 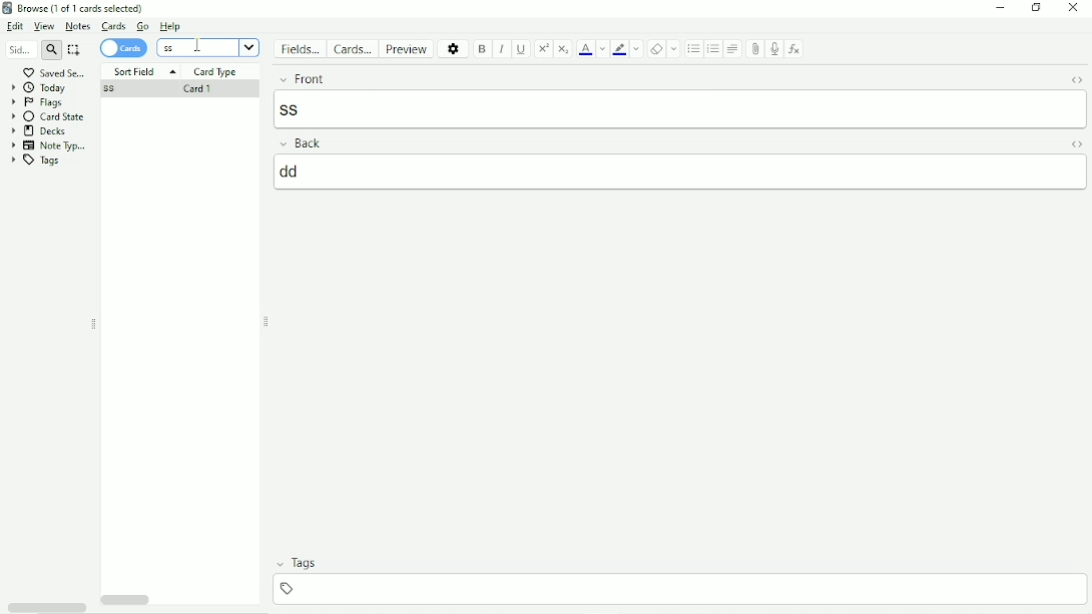 I want to click on Note Type, so click(x=50, y=145).